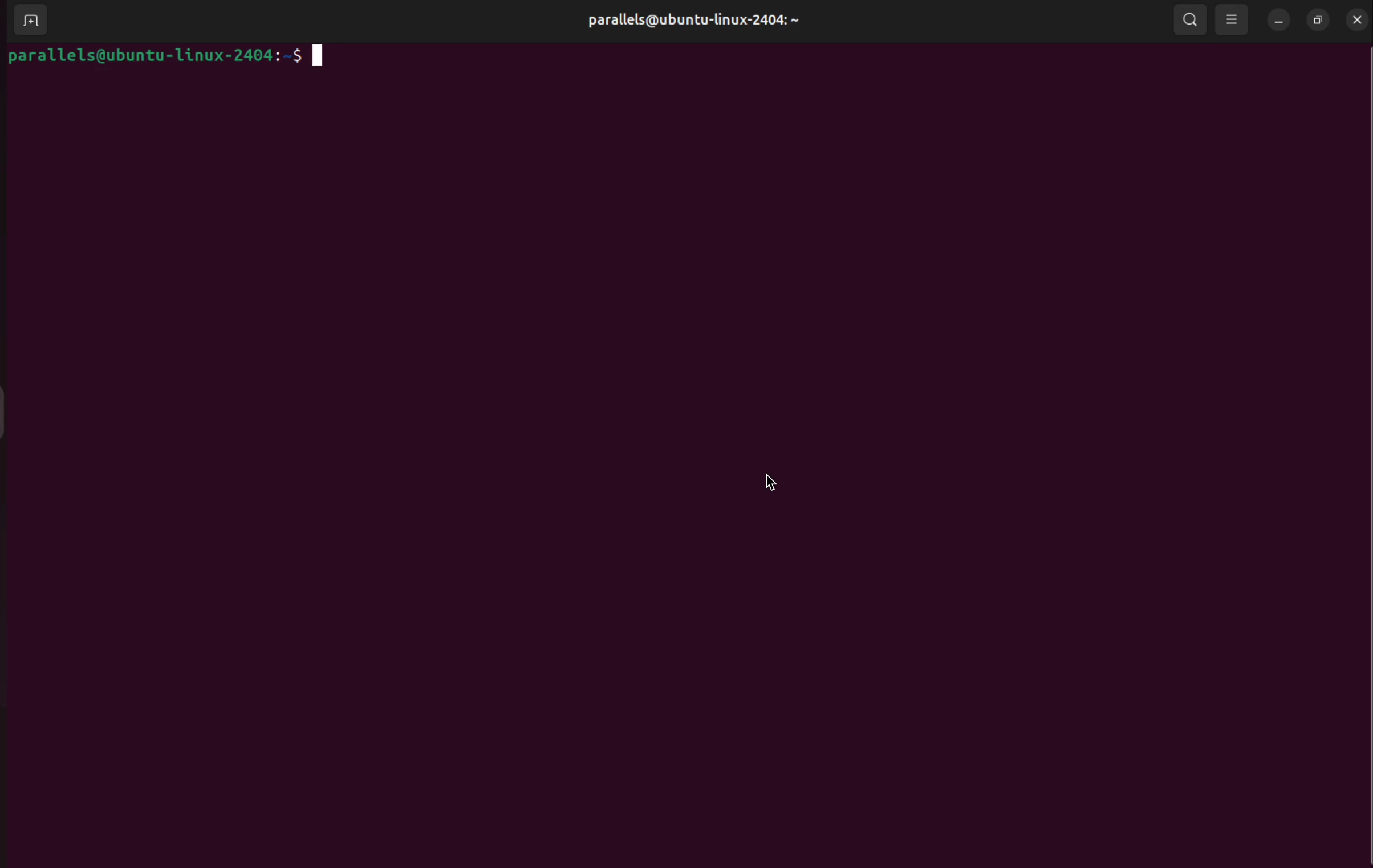 Image resolution: width=1373 pixels, height=868 pixels. Describe the element at coordinates (1189, 18) in the screenshot. I see `search bars` at that location.